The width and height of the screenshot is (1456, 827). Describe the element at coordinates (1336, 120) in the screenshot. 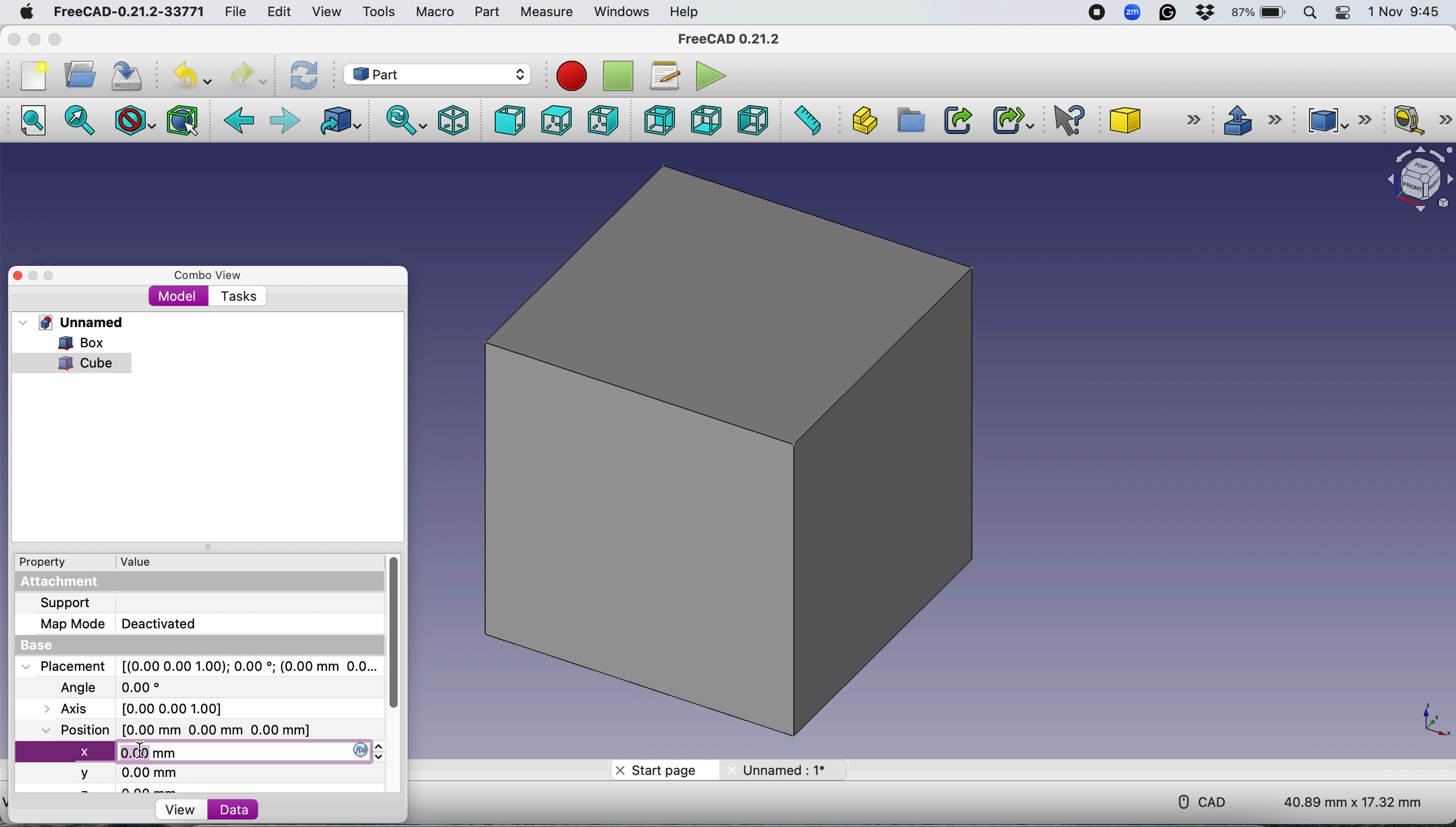

I see `Compound tools` at that location.